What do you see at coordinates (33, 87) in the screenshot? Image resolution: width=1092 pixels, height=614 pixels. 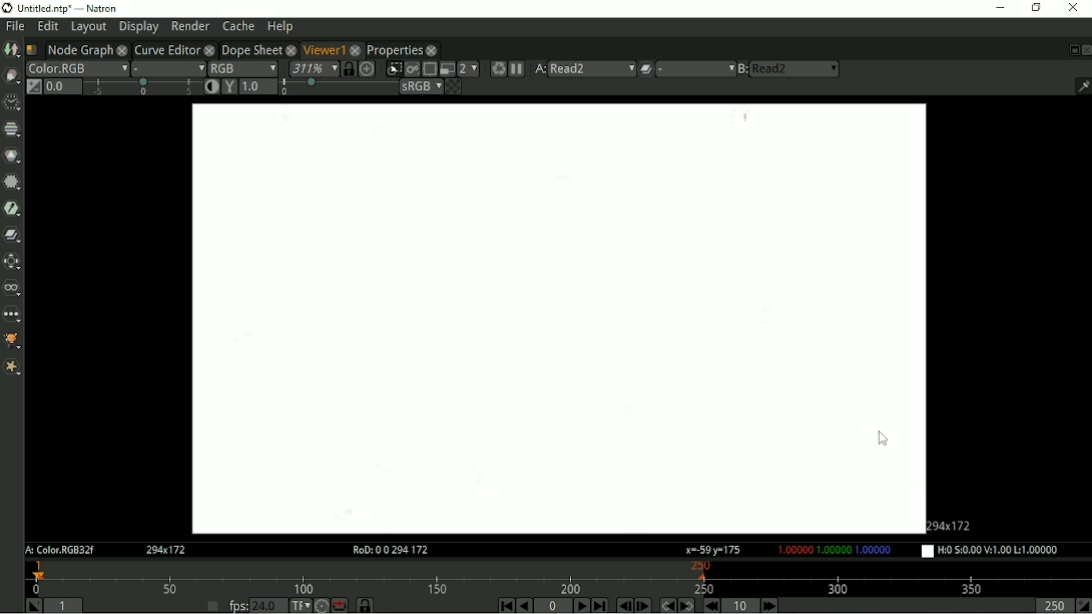 I see `Switch between "neutral" 1.0 gain f-stop and the previous setting` at bounding box center [33, 87].